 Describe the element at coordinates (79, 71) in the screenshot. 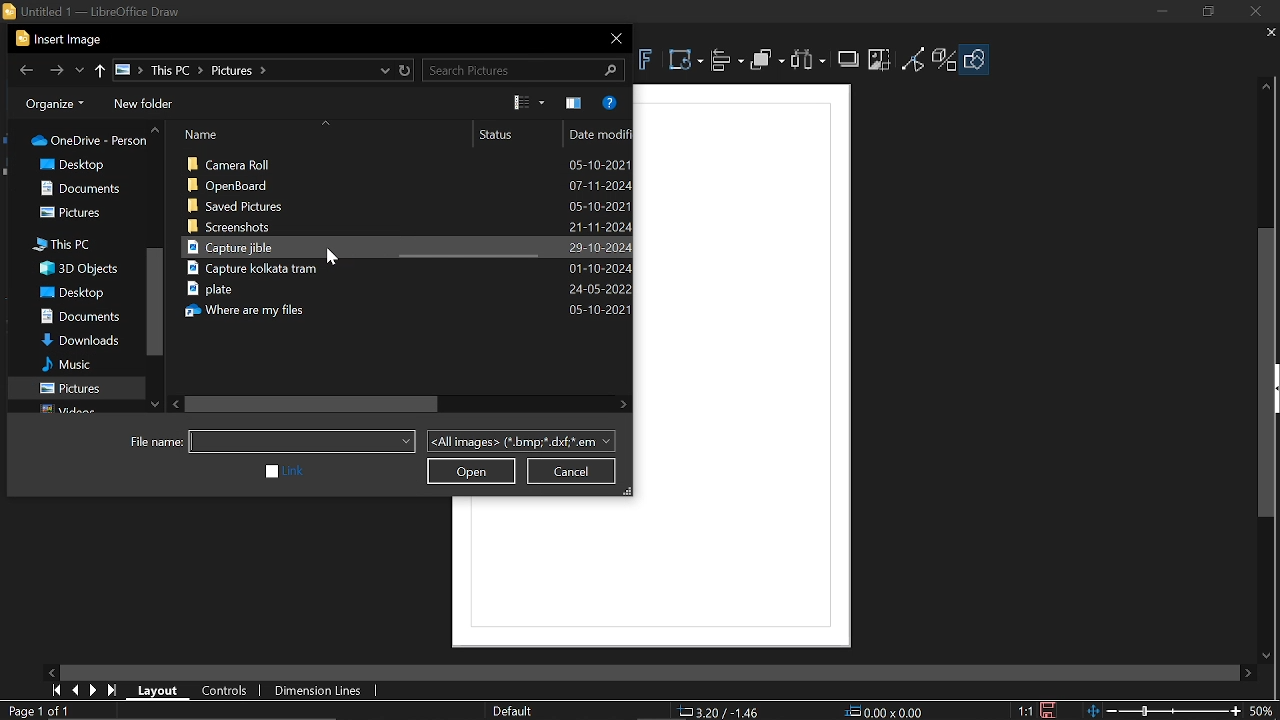

I see `Recent locations` at that location.